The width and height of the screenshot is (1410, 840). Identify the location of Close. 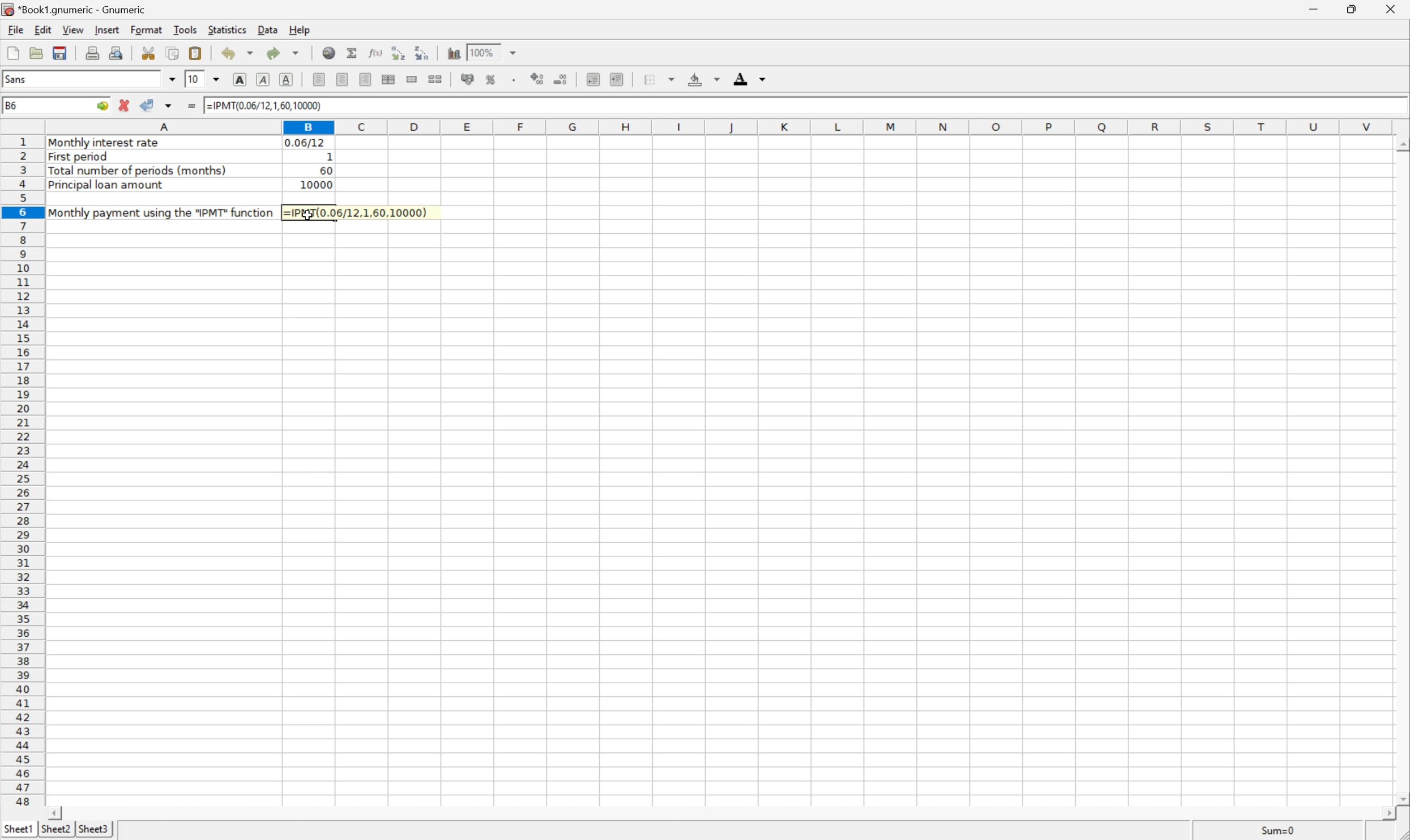
(1392, 8).